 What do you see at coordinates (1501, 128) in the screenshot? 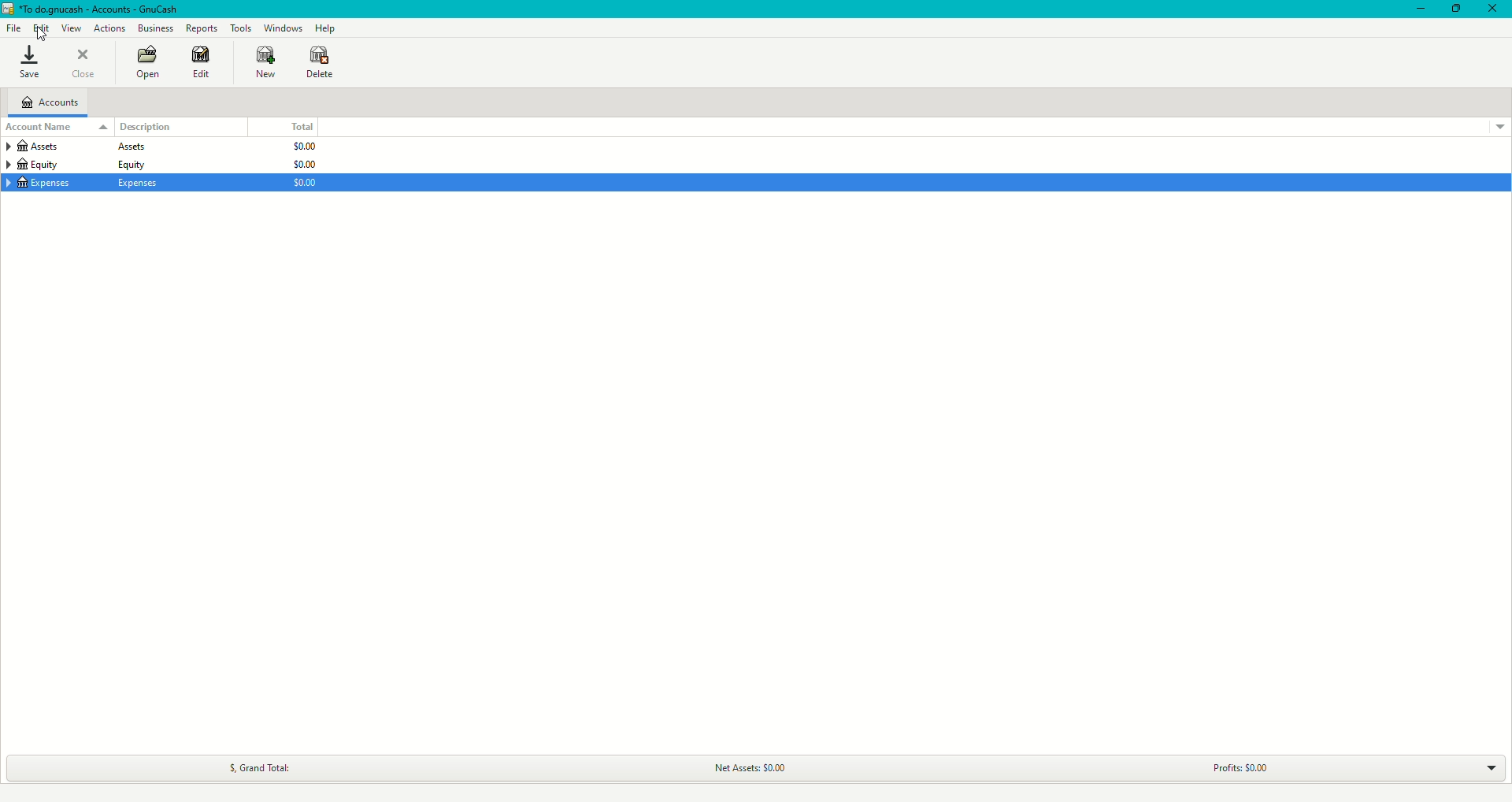
I see `Drop down` at bounding box center [1501, 128].